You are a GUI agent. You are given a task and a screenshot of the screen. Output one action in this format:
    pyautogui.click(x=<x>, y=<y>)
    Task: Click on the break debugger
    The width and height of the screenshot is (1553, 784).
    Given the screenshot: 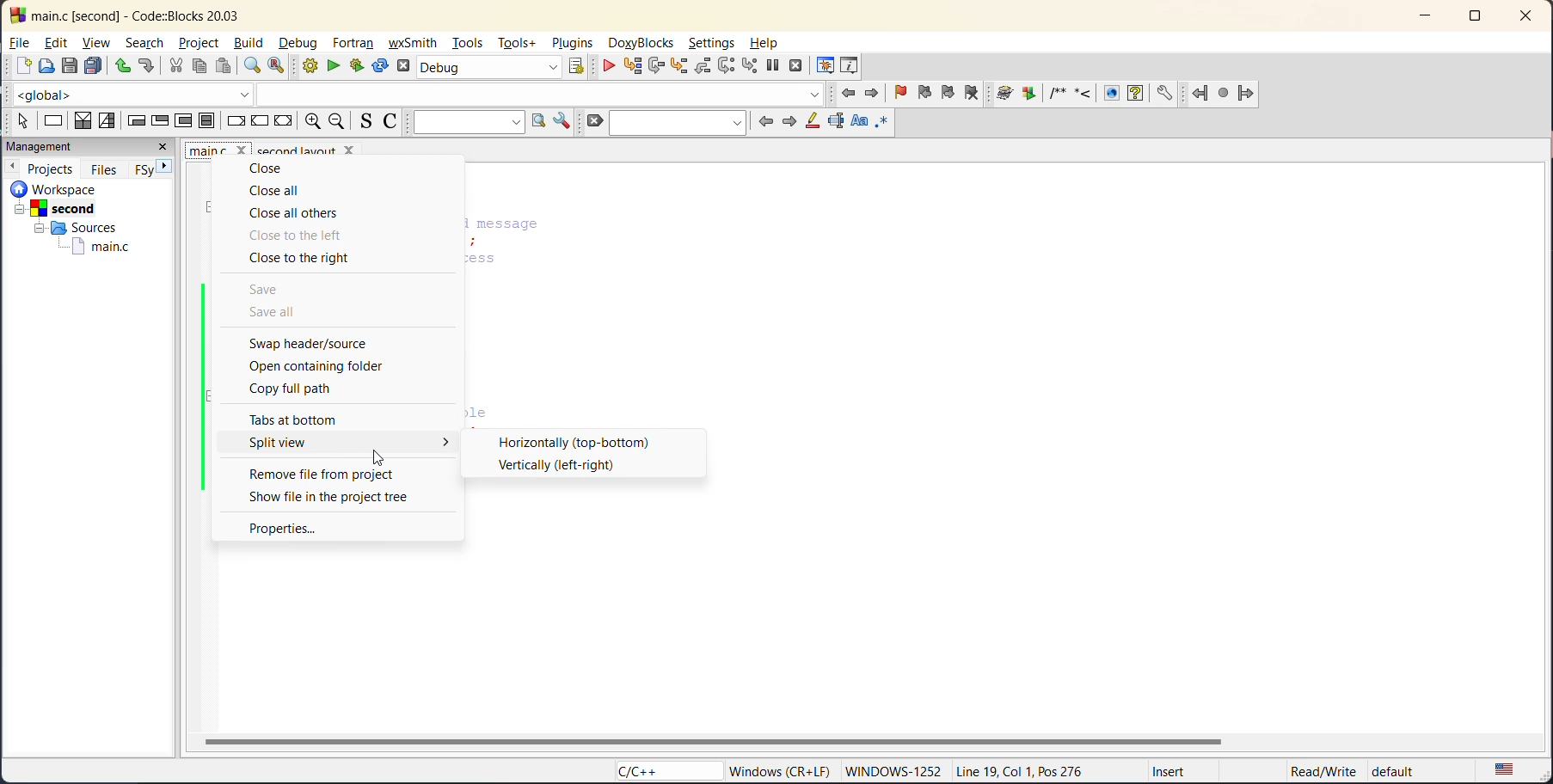 What is the action you would take?
    pyautogui.click(x=771, y=63)
    